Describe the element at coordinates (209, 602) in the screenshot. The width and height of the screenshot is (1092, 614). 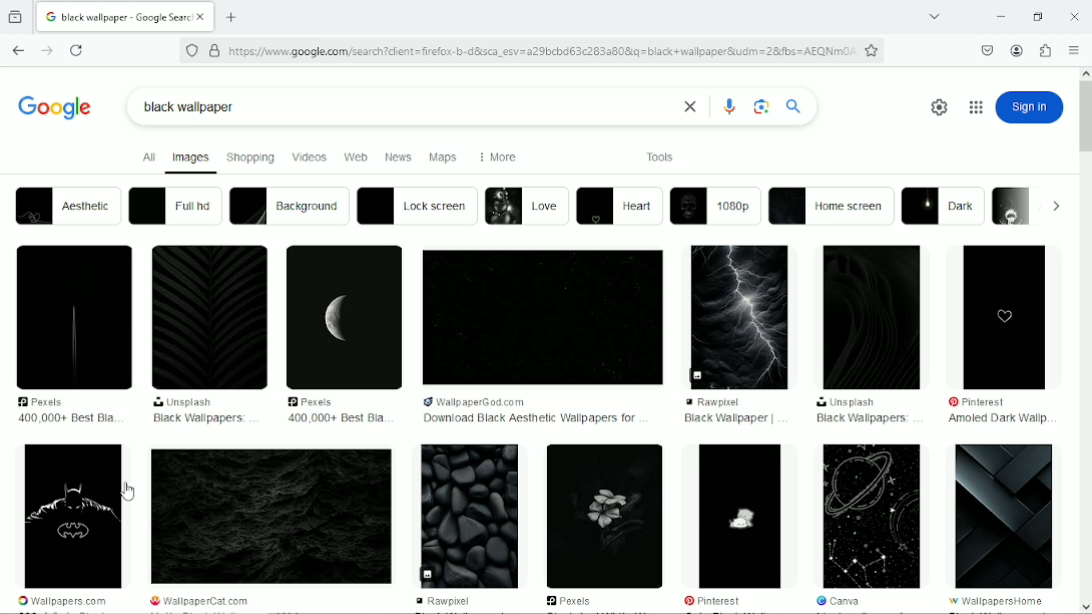
I see `wallpapercat.com` at that location.